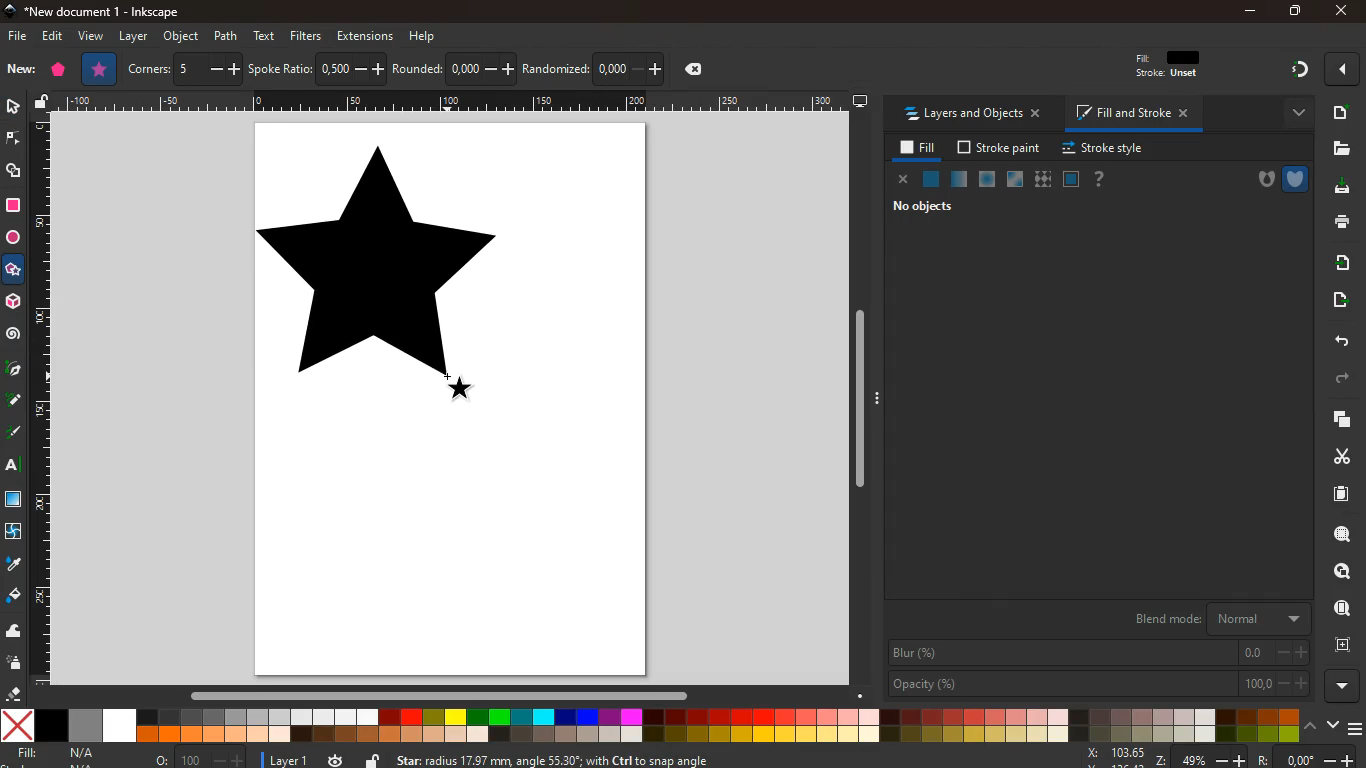  What do you see at coordinates (1070, 178) in the screenshot?
I see `frame` at bounding box center [1070, 178].